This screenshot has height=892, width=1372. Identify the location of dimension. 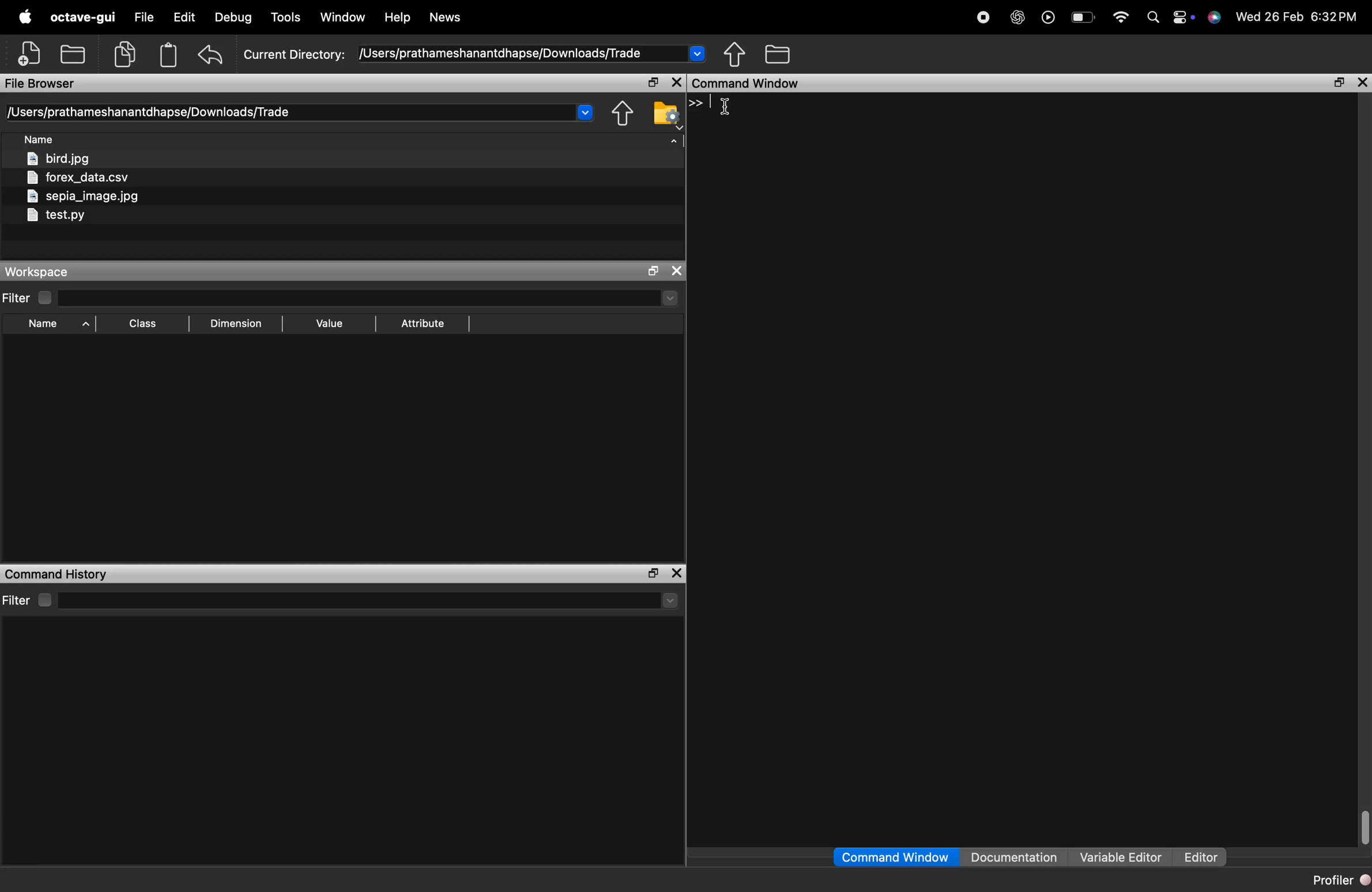
(240, 324).